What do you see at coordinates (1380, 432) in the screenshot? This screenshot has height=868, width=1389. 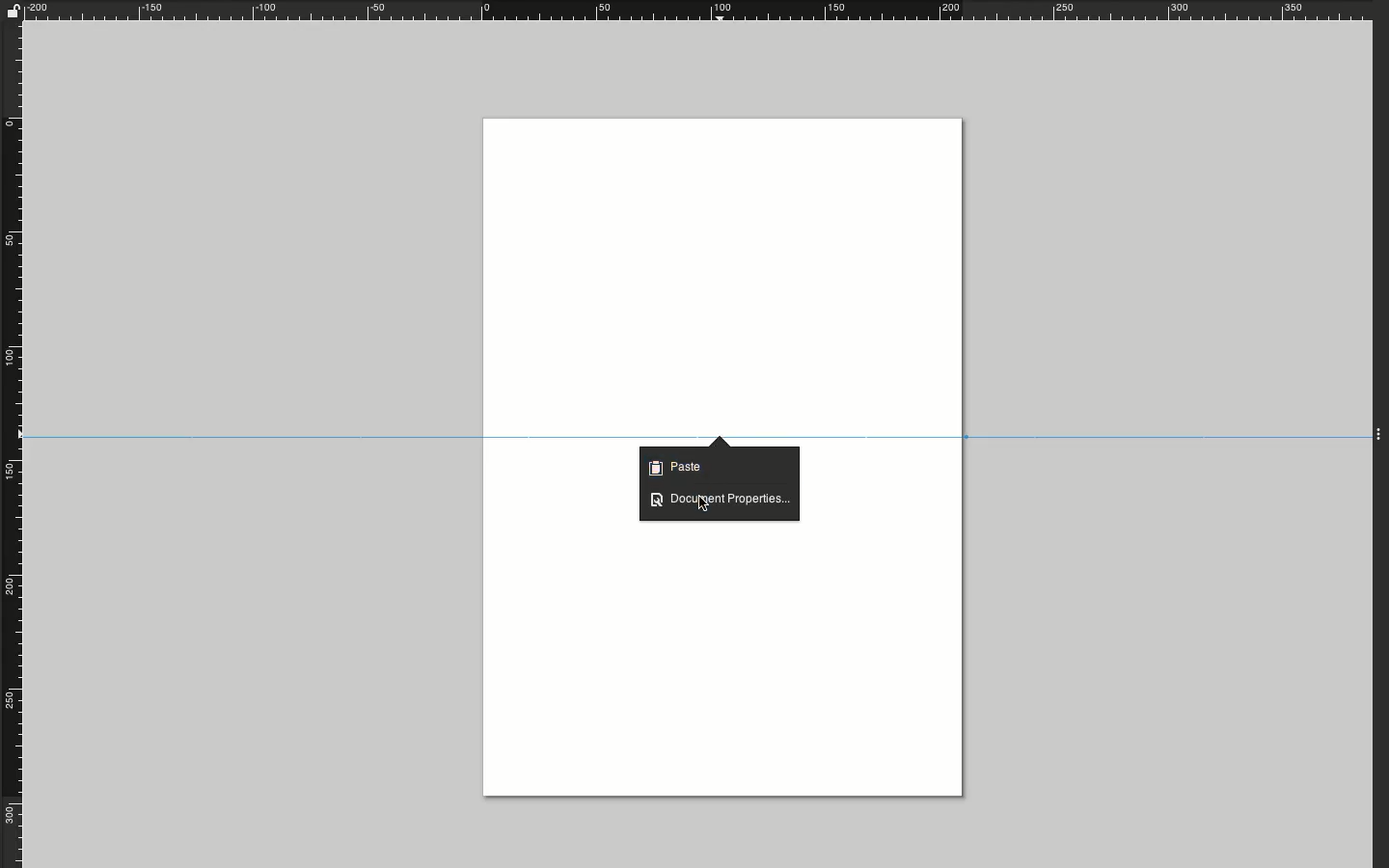 I see `Expand` at bounding box center [1380, 432].